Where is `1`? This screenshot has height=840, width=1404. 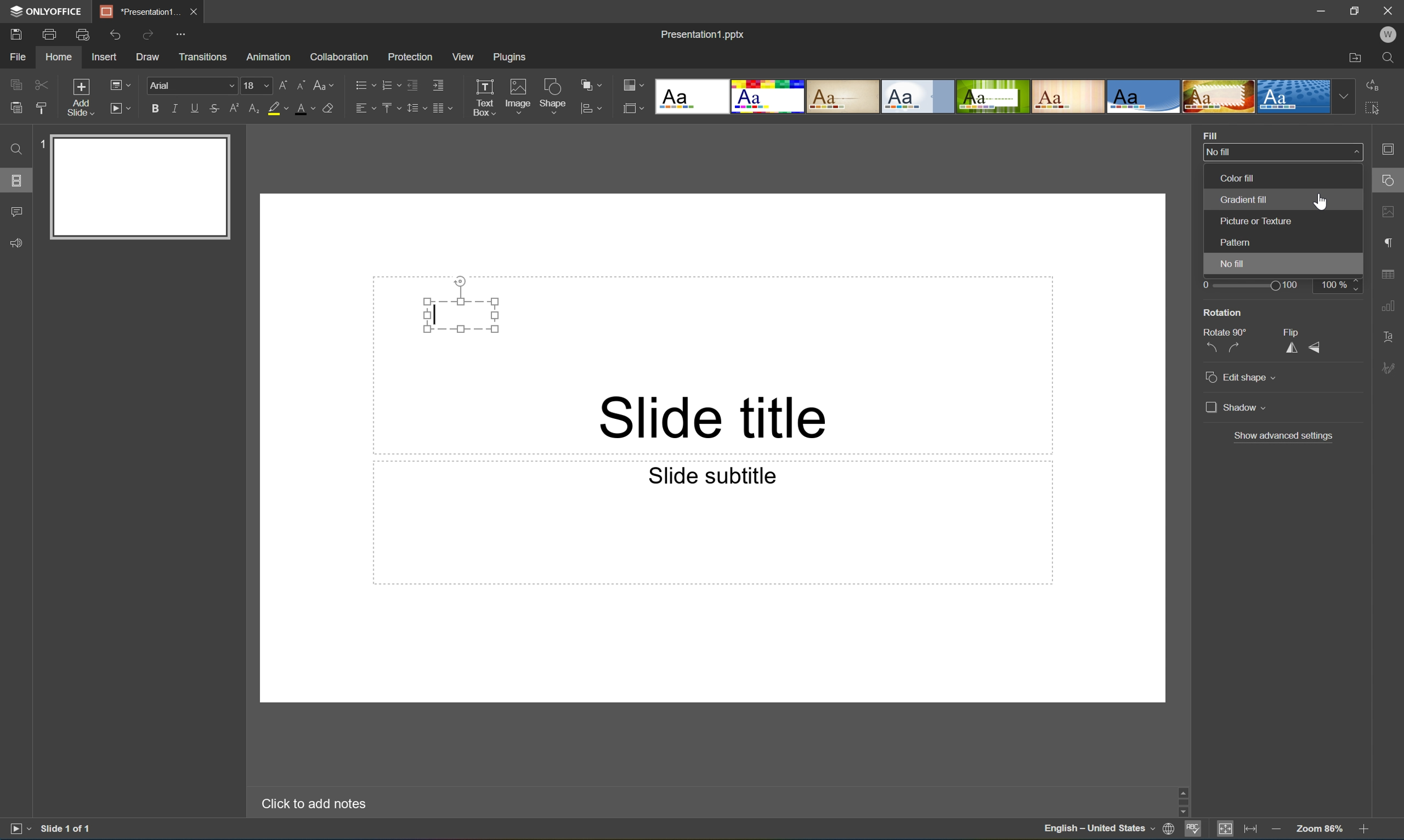
1 is located at coordinates (45, 142).